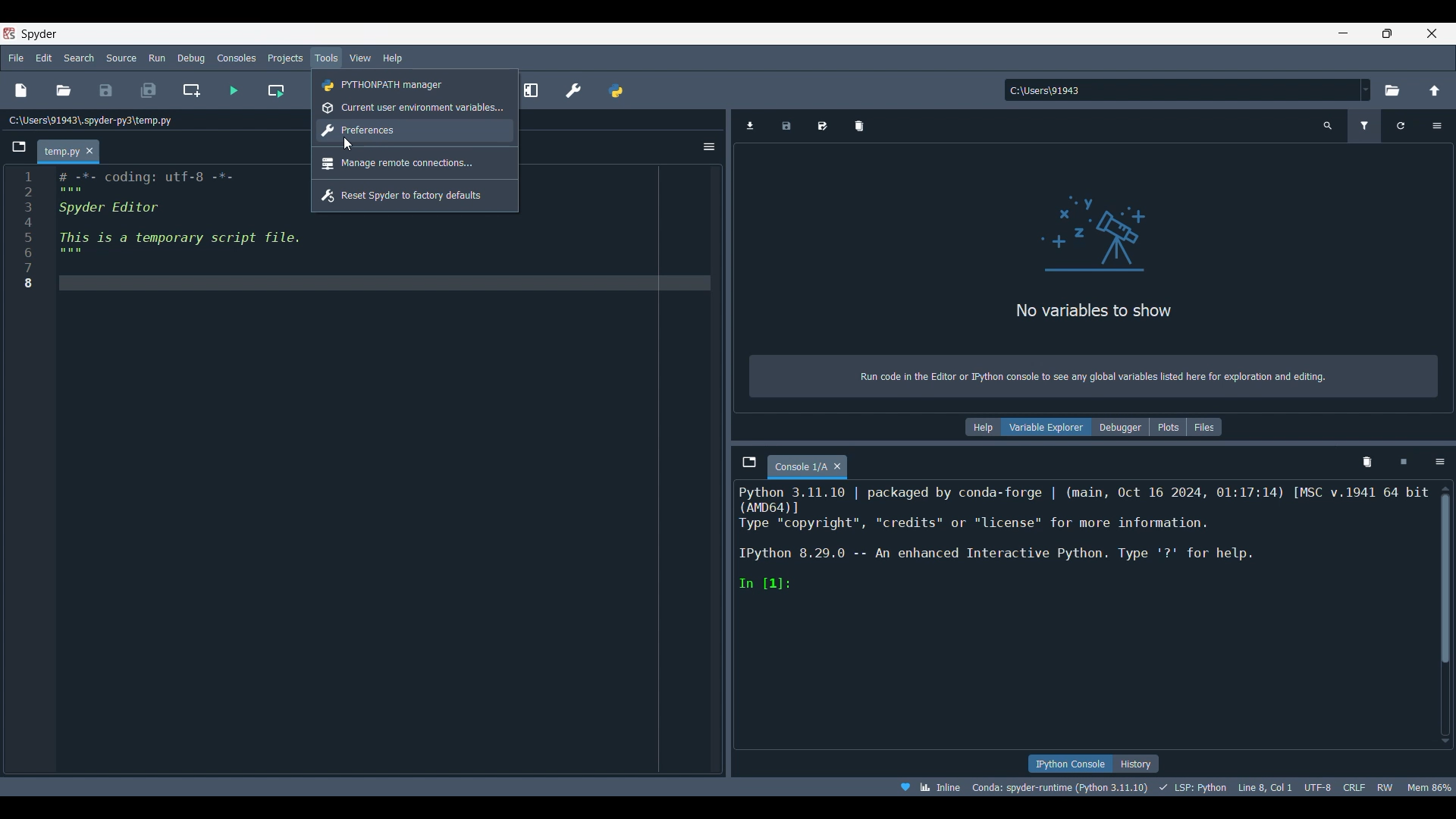 The image size is (1456, 819). What do you see at coordinates (1319, 785) in the screenshot?
I see `utf-8` at bounding box center [1319, 785].